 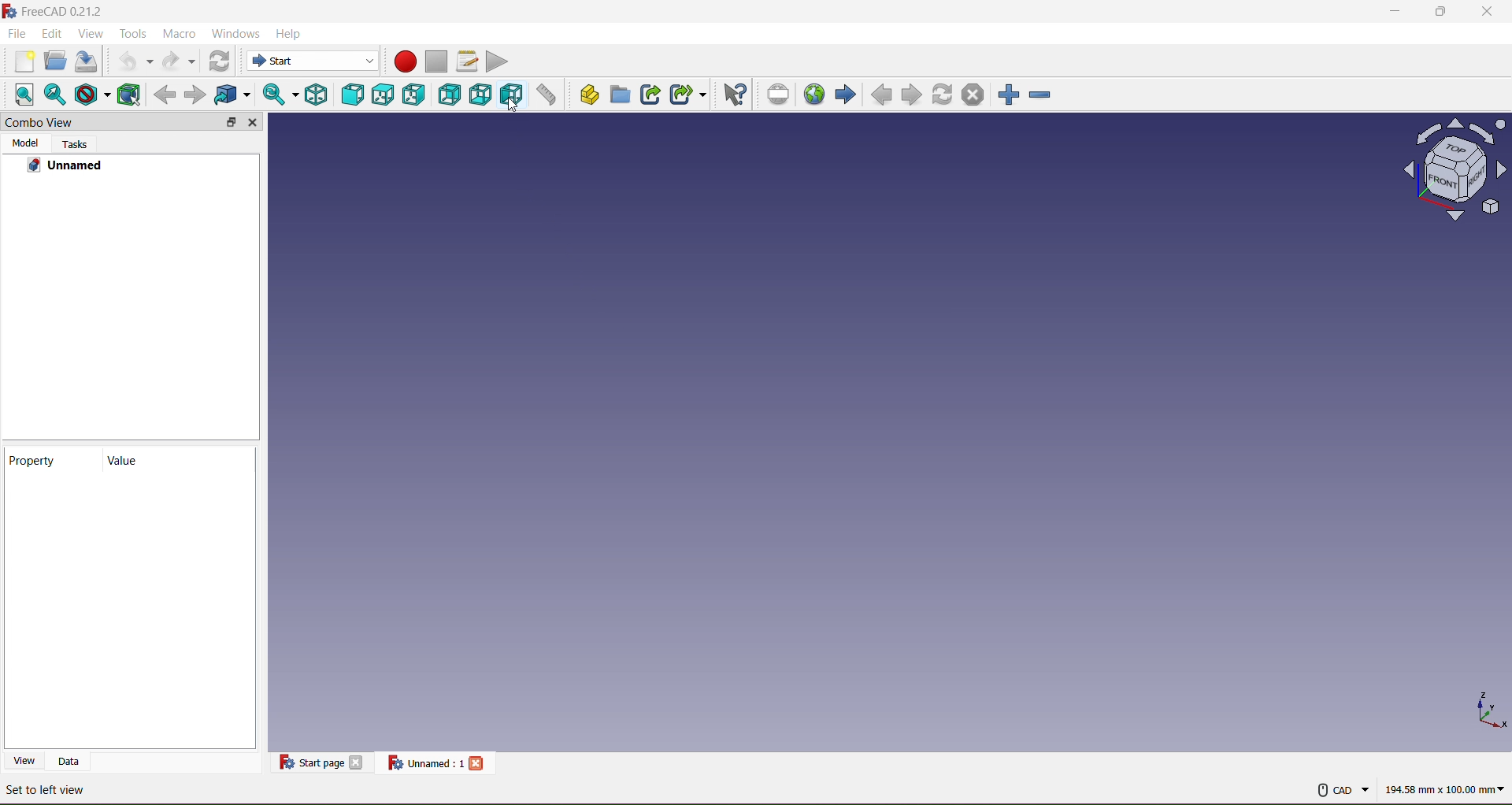 What do you see at coordinates (413, 95) in the screenshot?
I see `Right` at bounding box center [413, 95].